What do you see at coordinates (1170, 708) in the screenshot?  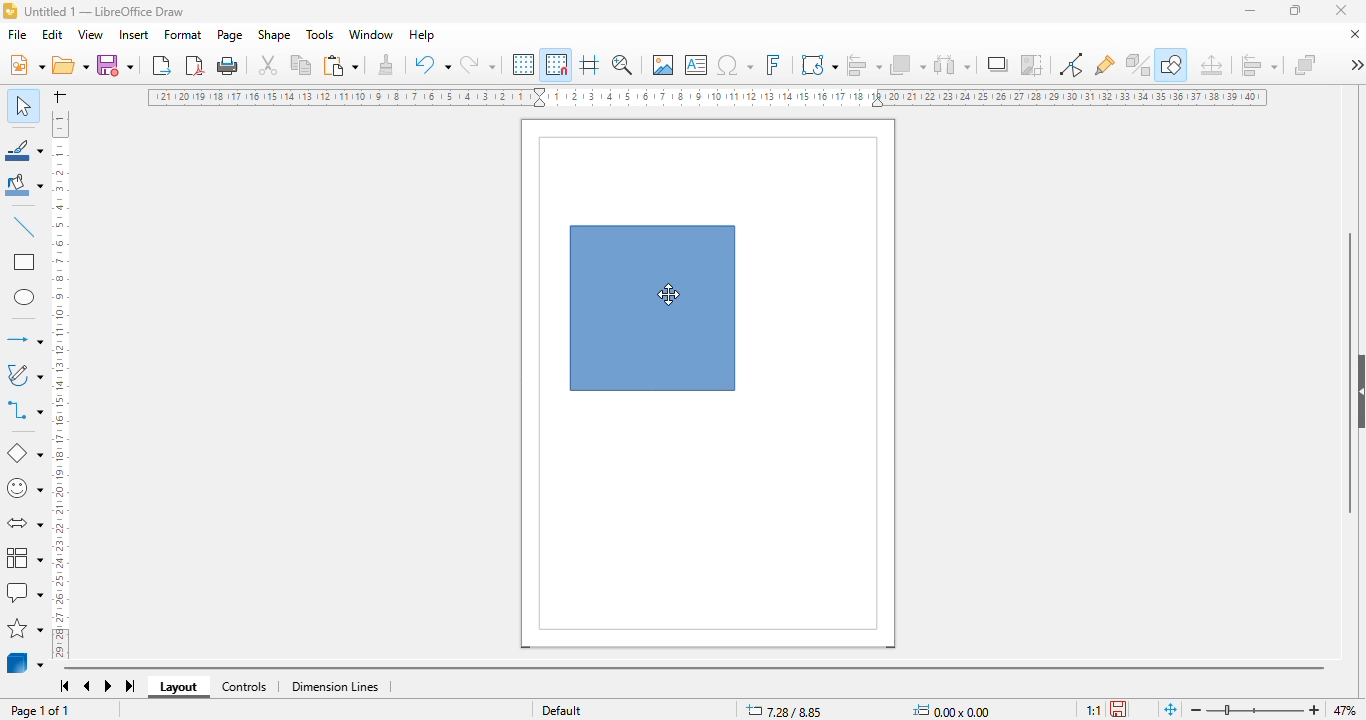 I see `fit page to current window` at bounding box center [1170, 708].